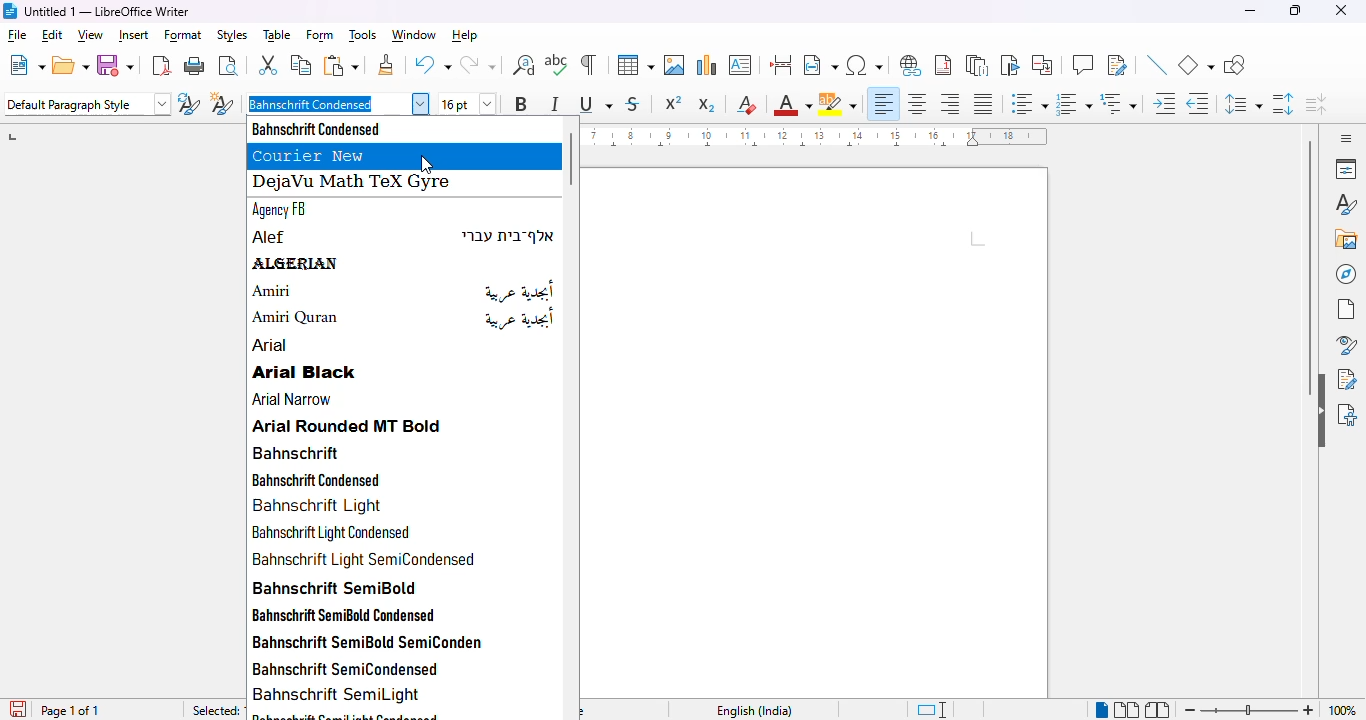  I want to click on courier new, so click(312, 156).